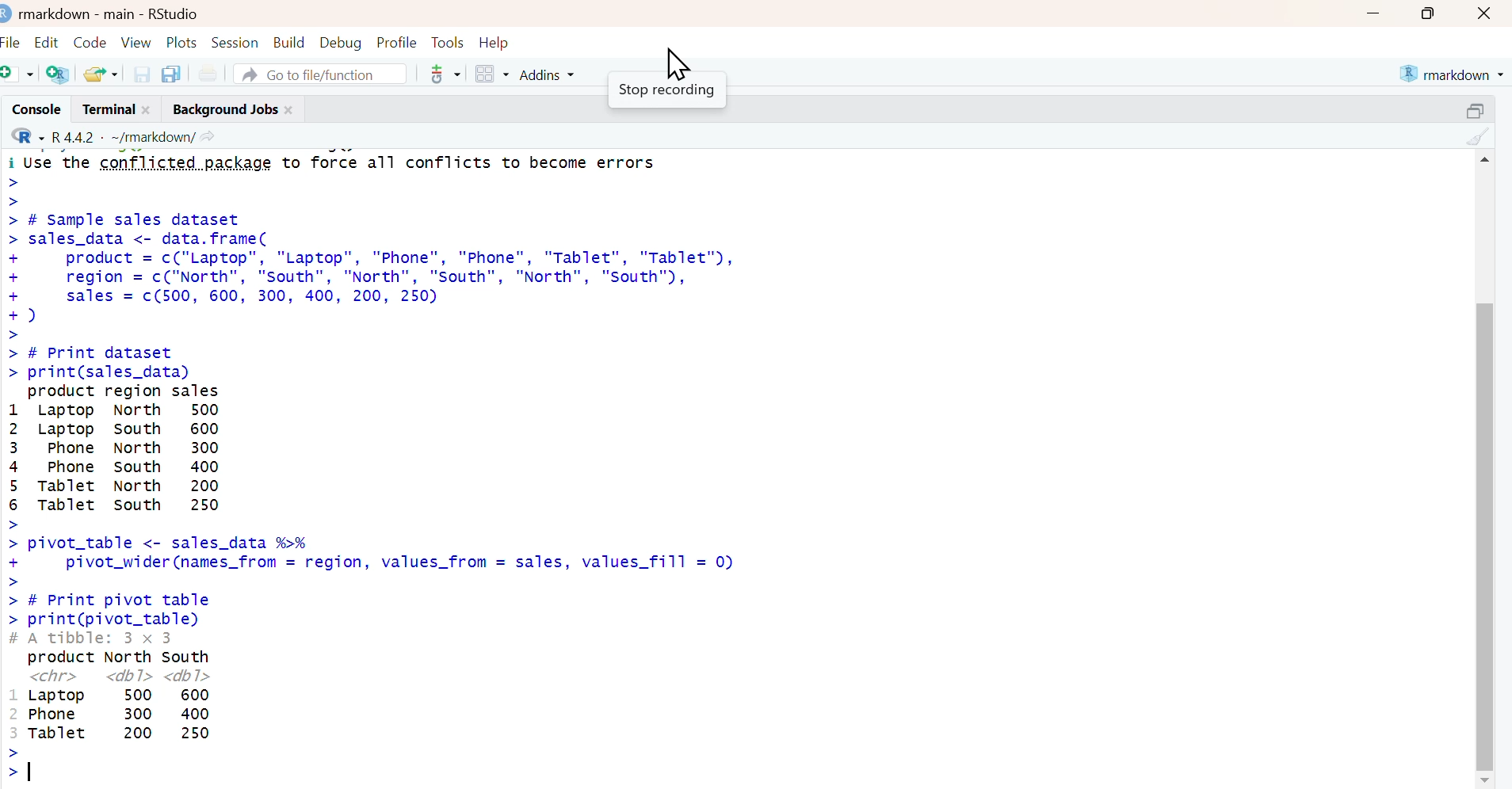 Image resolution: width=1512 pixels, height=789 pixels. I want to click on markdown, so click(1454, 72).